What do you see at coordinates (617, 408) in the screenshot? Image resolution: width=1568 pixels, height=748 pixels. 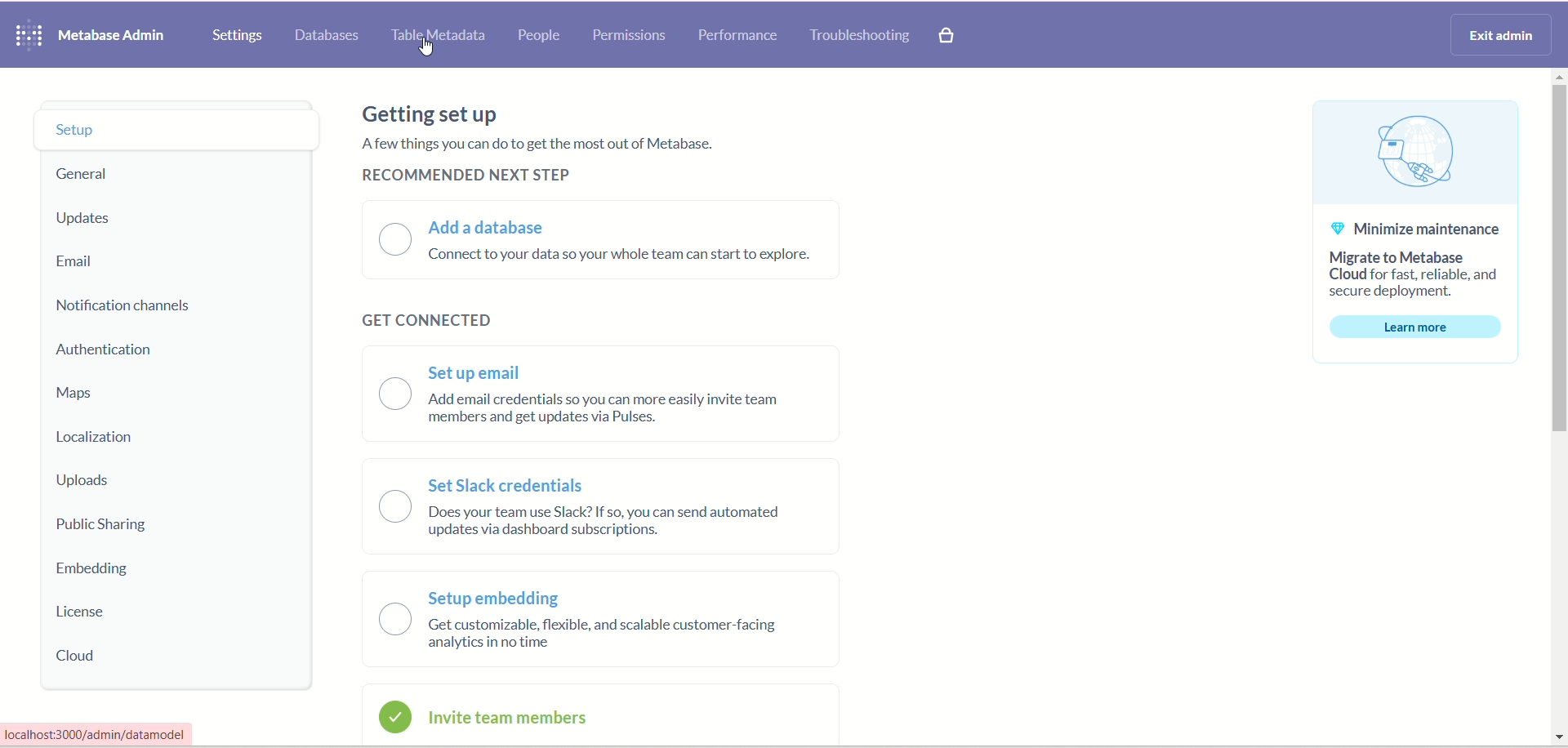 I see `‘Add email credentials so you can more easily invite team
members and get updates via Pulses.` at bounding box center [617, 408].